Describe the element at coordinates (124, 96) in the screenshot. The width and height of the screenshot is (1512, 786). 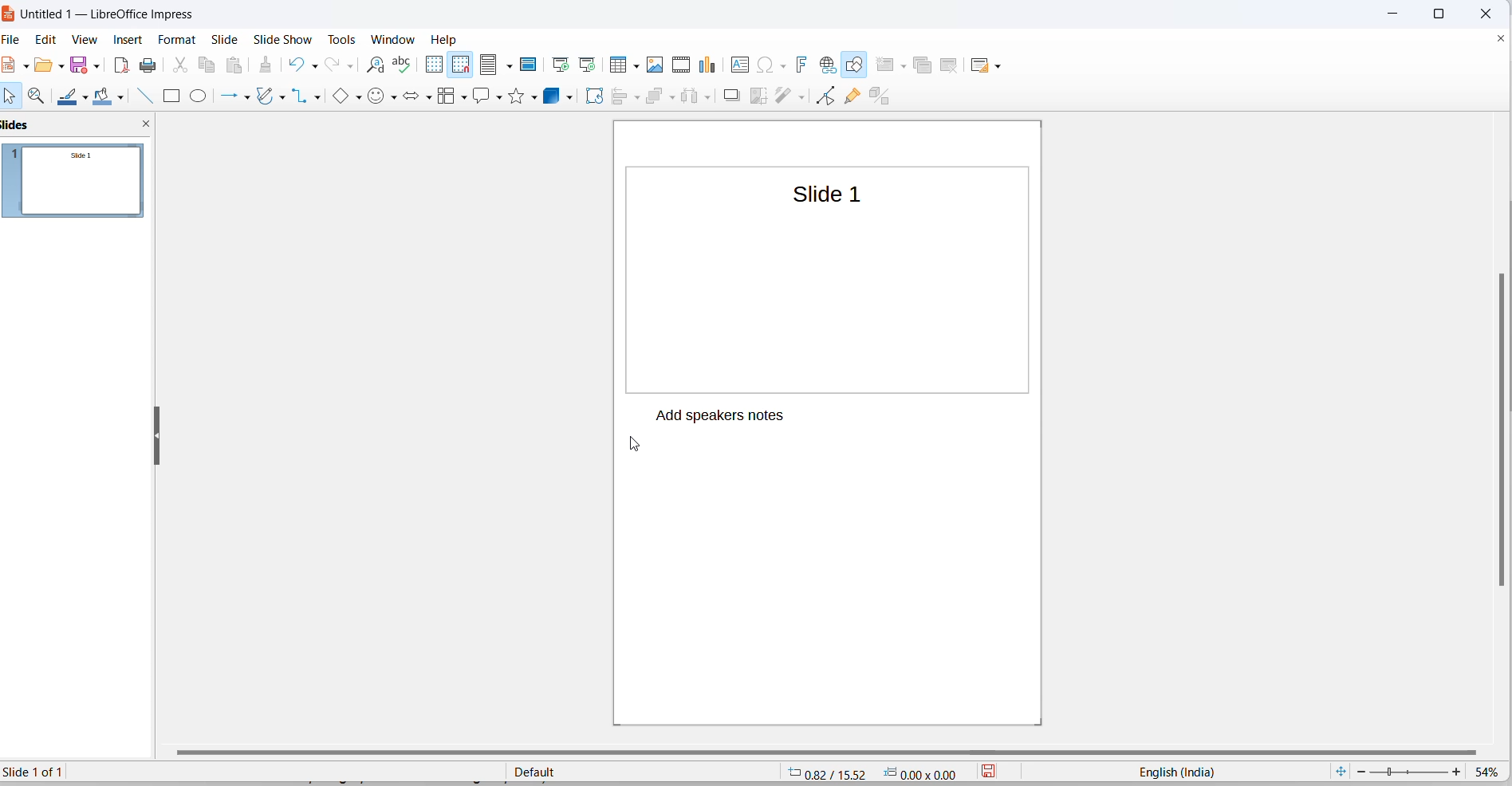
I see `fill color options` at that location.